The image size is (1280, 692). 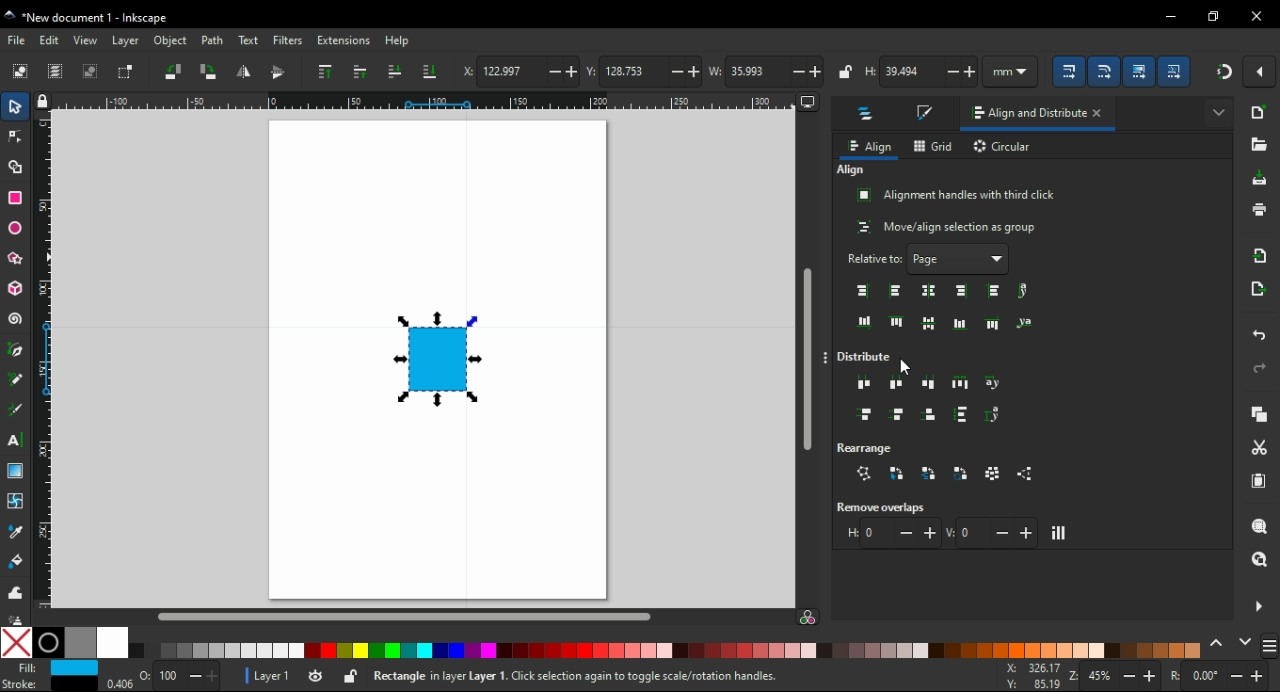 What do you see at coordinates (636, 677) in the screenshot?
I see `shortcuts and notifications display` at bounding box center [636, 677].